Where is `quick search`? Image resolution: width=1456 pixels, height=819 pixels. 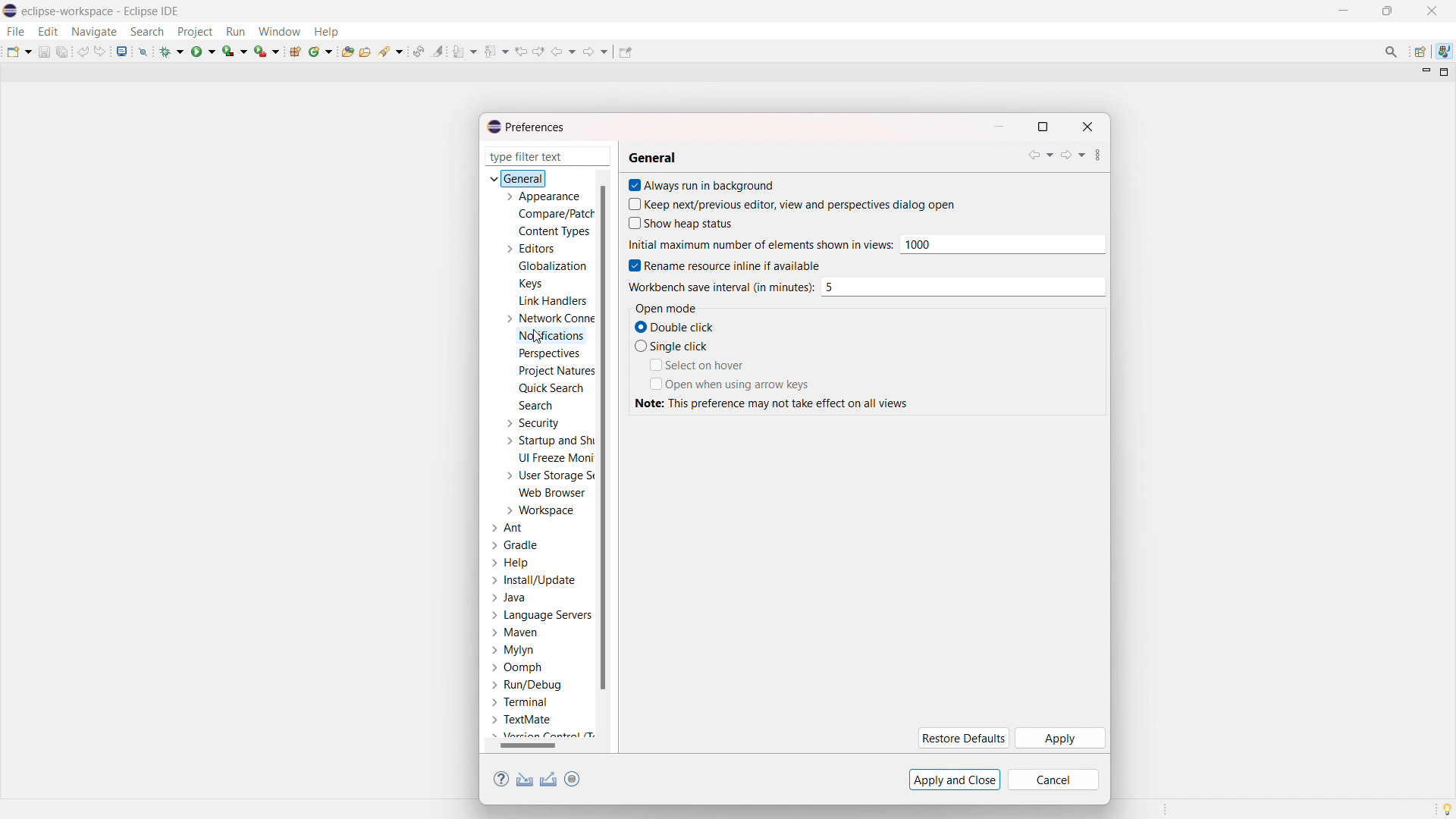
quick search is located at coordinates (551, 388).